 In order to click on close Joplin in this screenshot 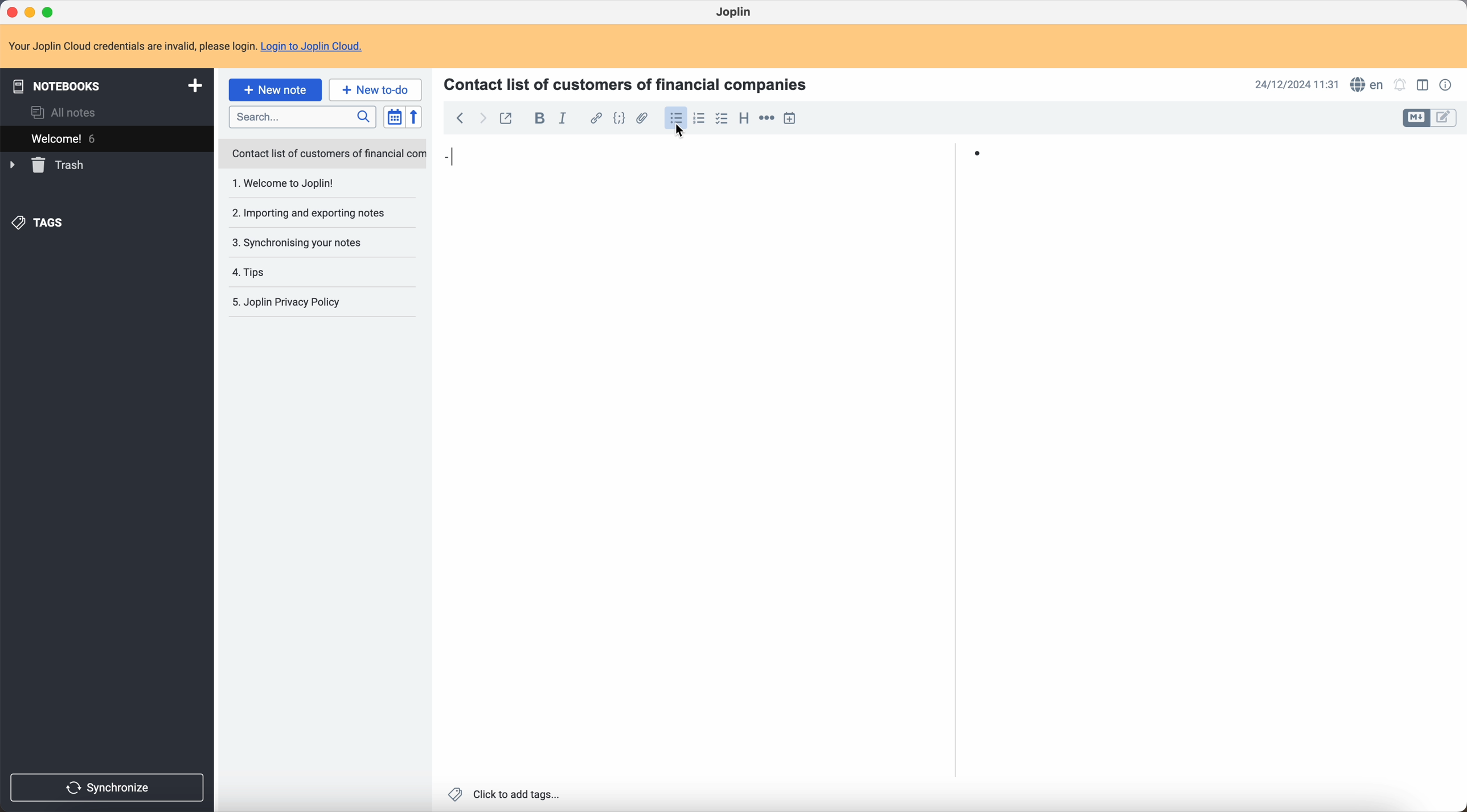, I will do `click(11, 11)`.